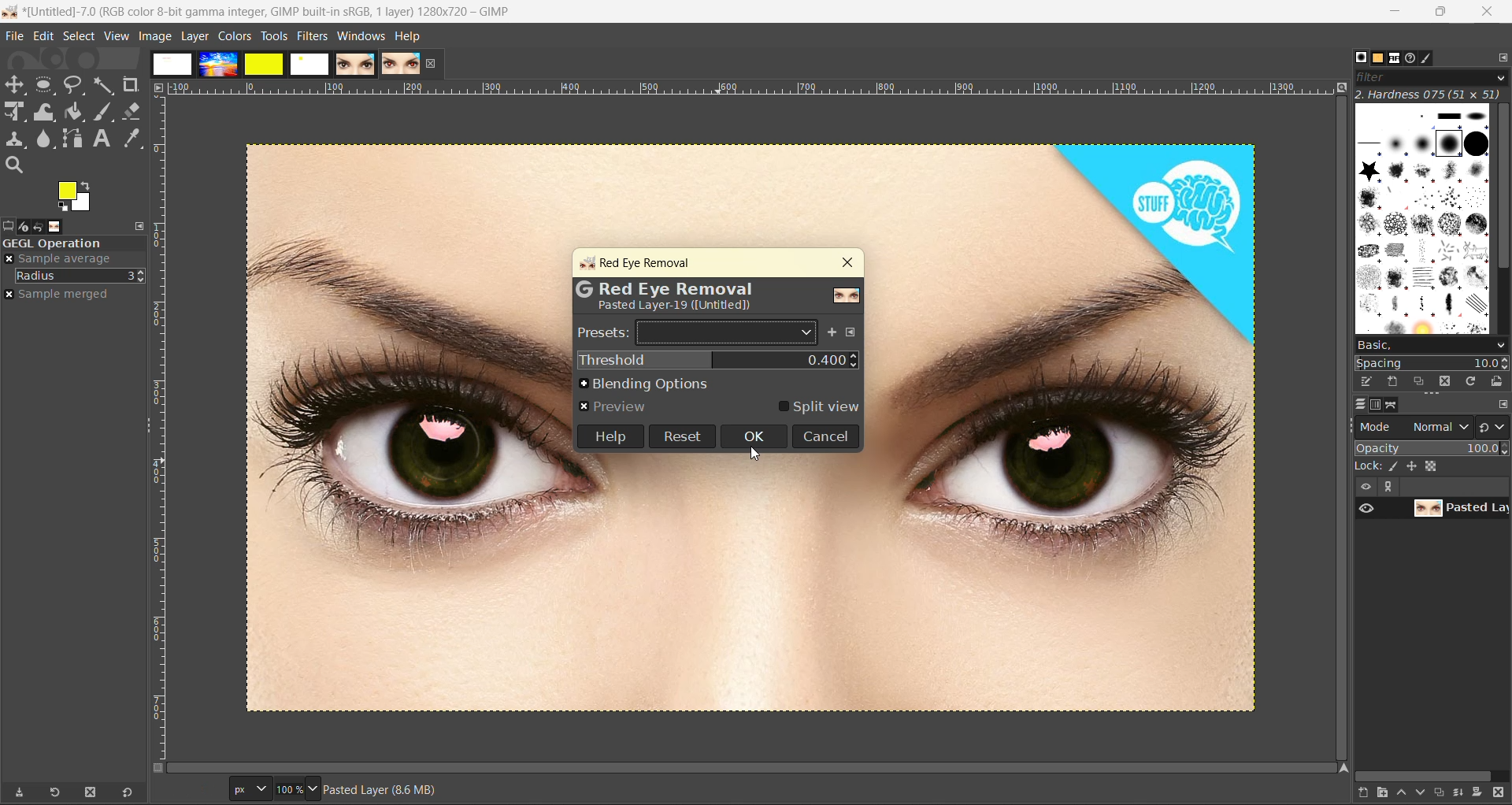 This screenshot has height=805, width=1512. What do you see at coordinates (78, 35) in the screenshot?
I see `select` at bounding box center [78, 35].